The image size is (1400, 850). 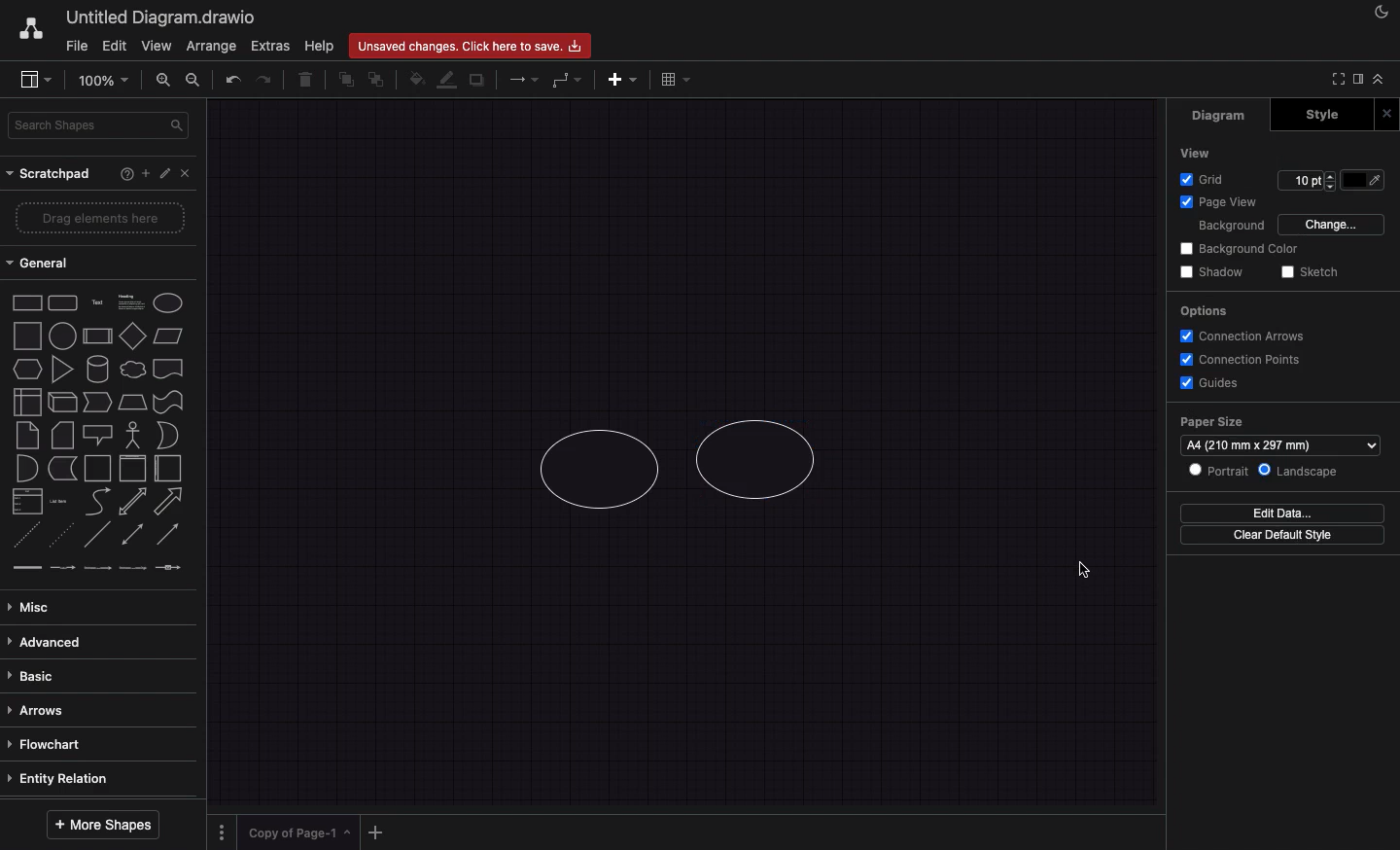 I want to click on background color, so click(x=1239, y=249).